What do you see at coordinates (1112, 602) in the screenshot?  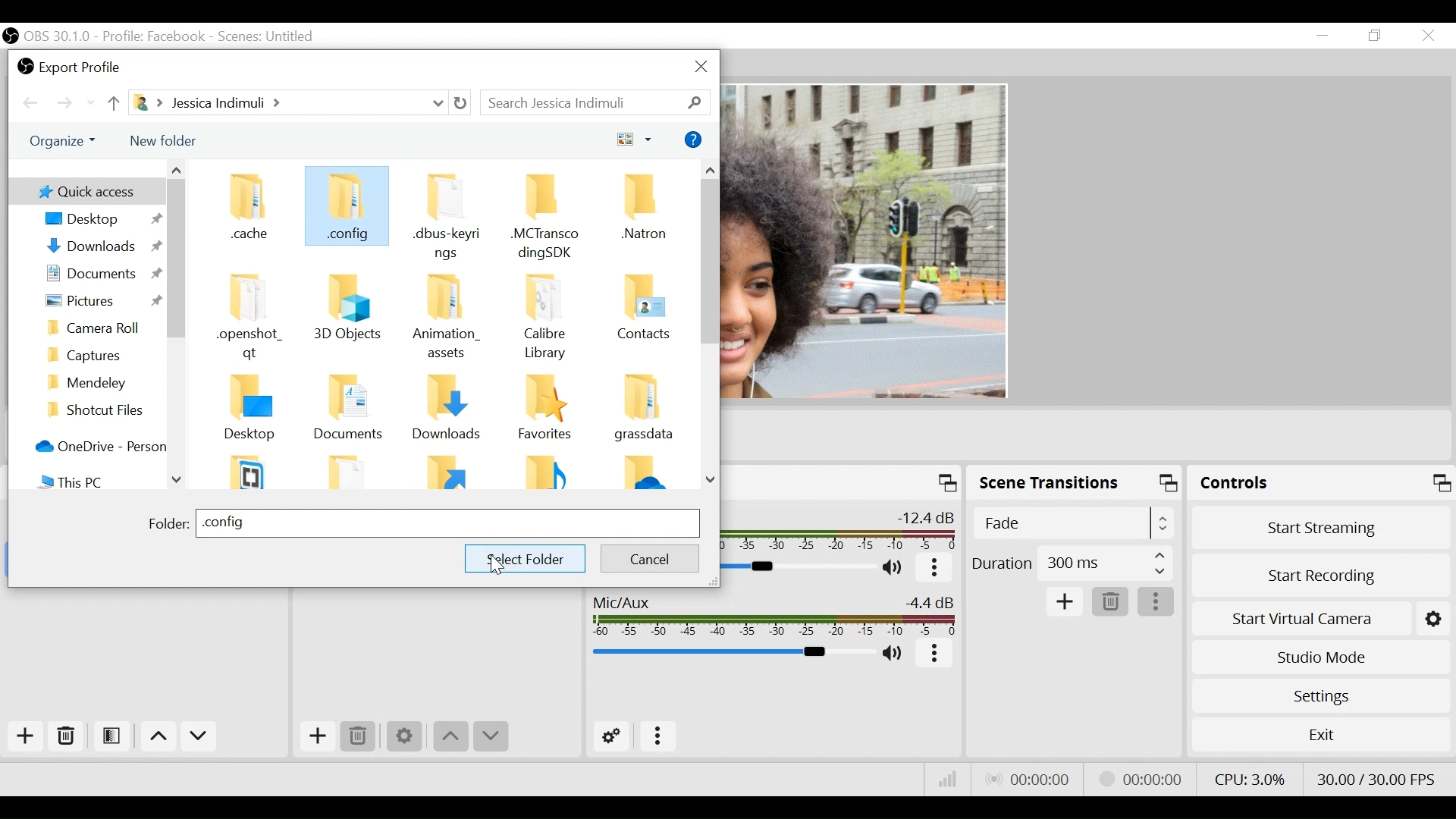 I see `Remove` at bounding box center [1112, 602].